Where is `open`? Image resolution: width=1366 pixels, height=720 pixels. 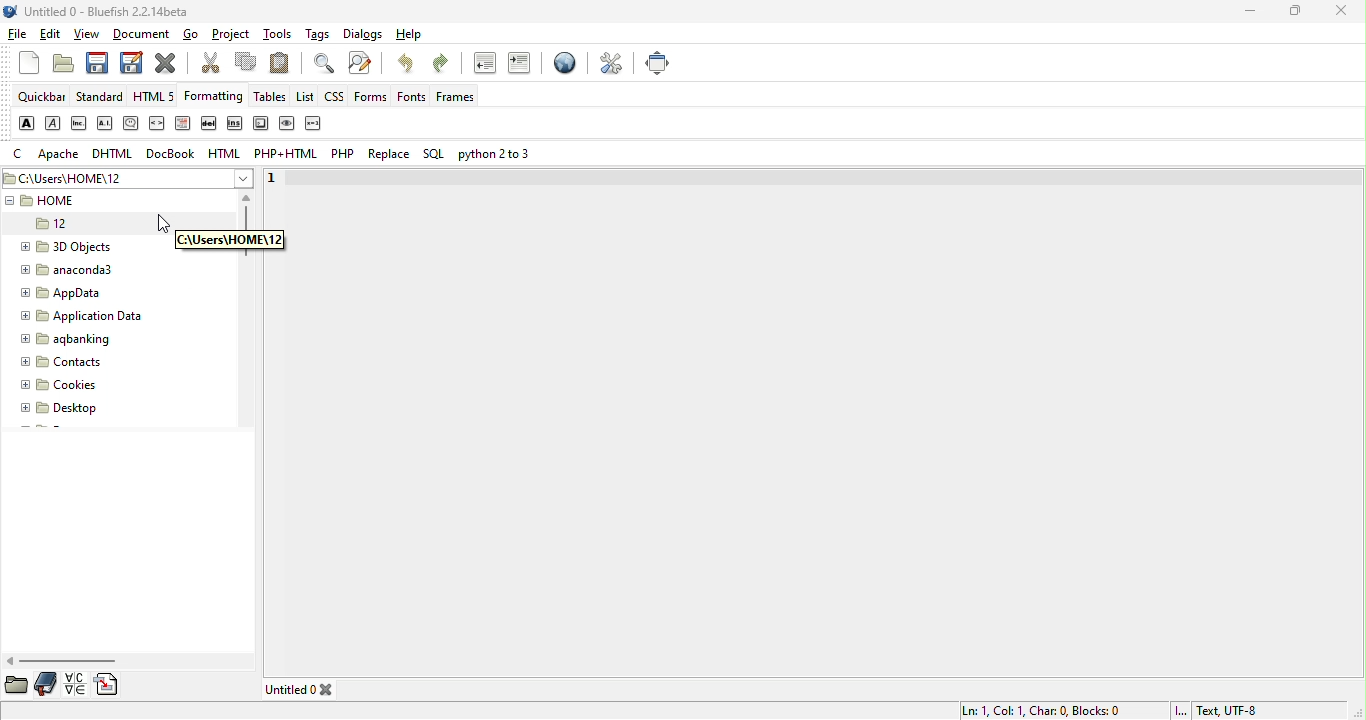
open is located at coordinates (61, 64).